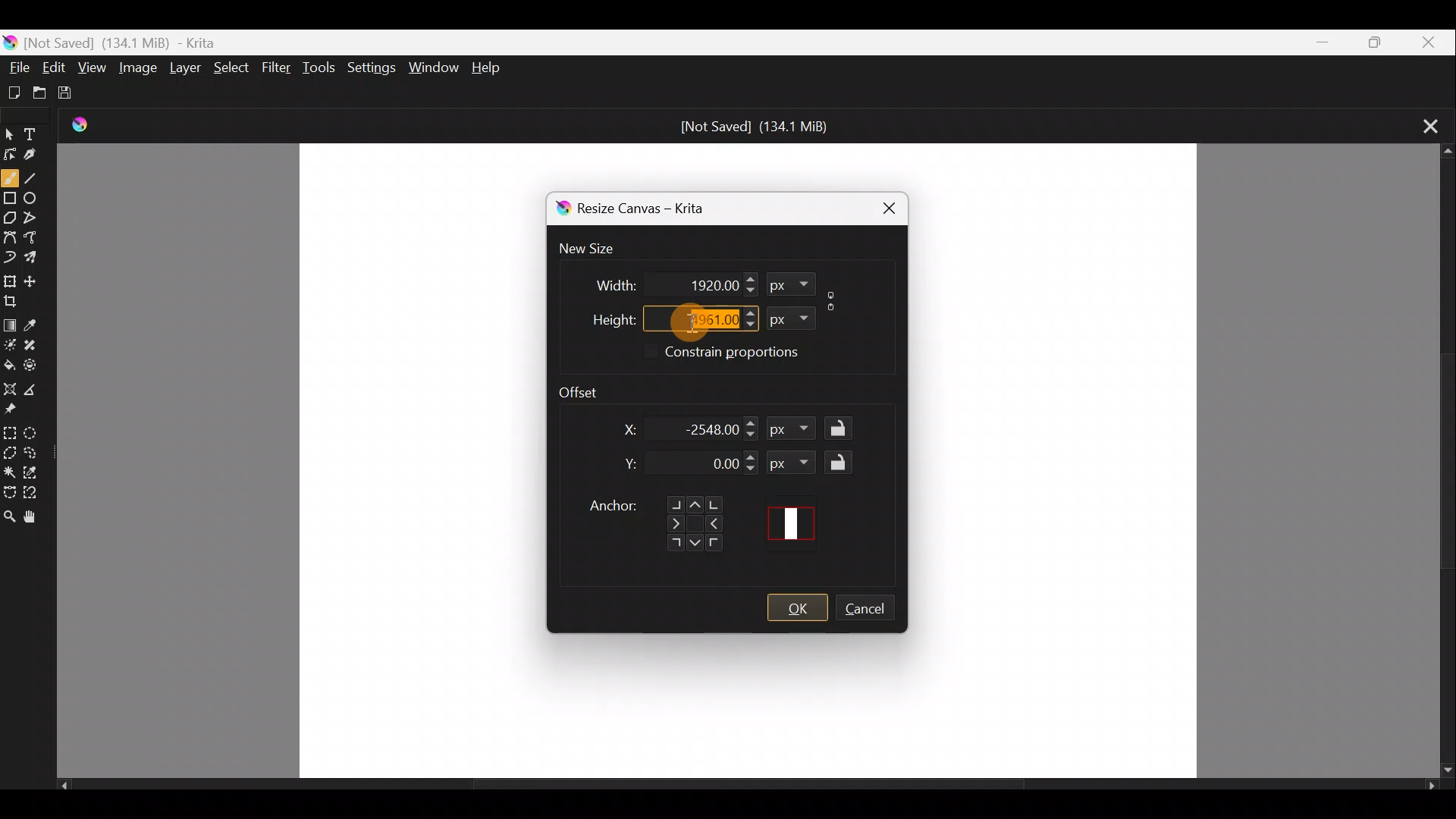 This screenshot has height=819, width=1456. I want to click on Freehand selection tool, so click(36, 450).